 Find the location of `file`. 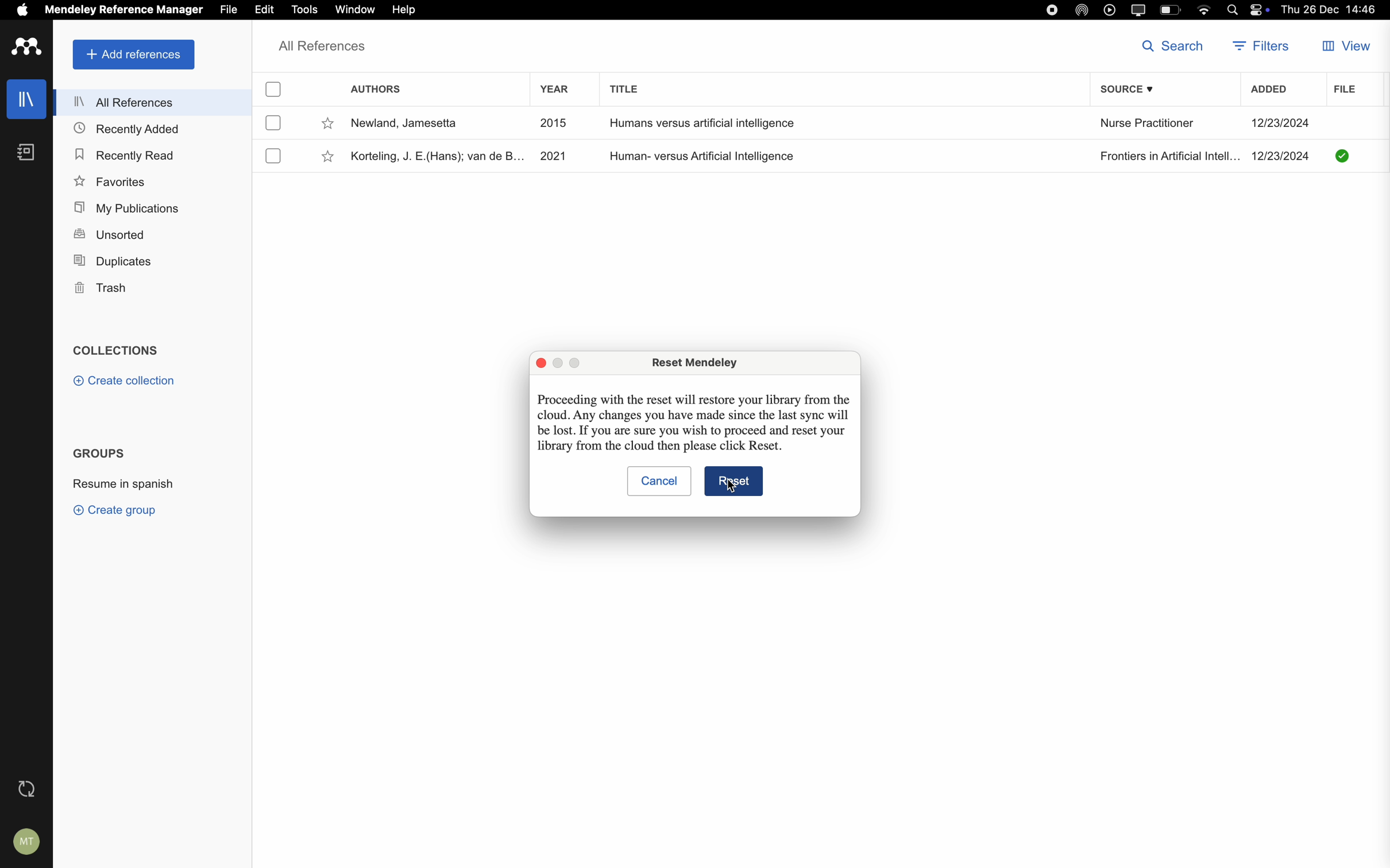

file is located at coordinates (227, 10).